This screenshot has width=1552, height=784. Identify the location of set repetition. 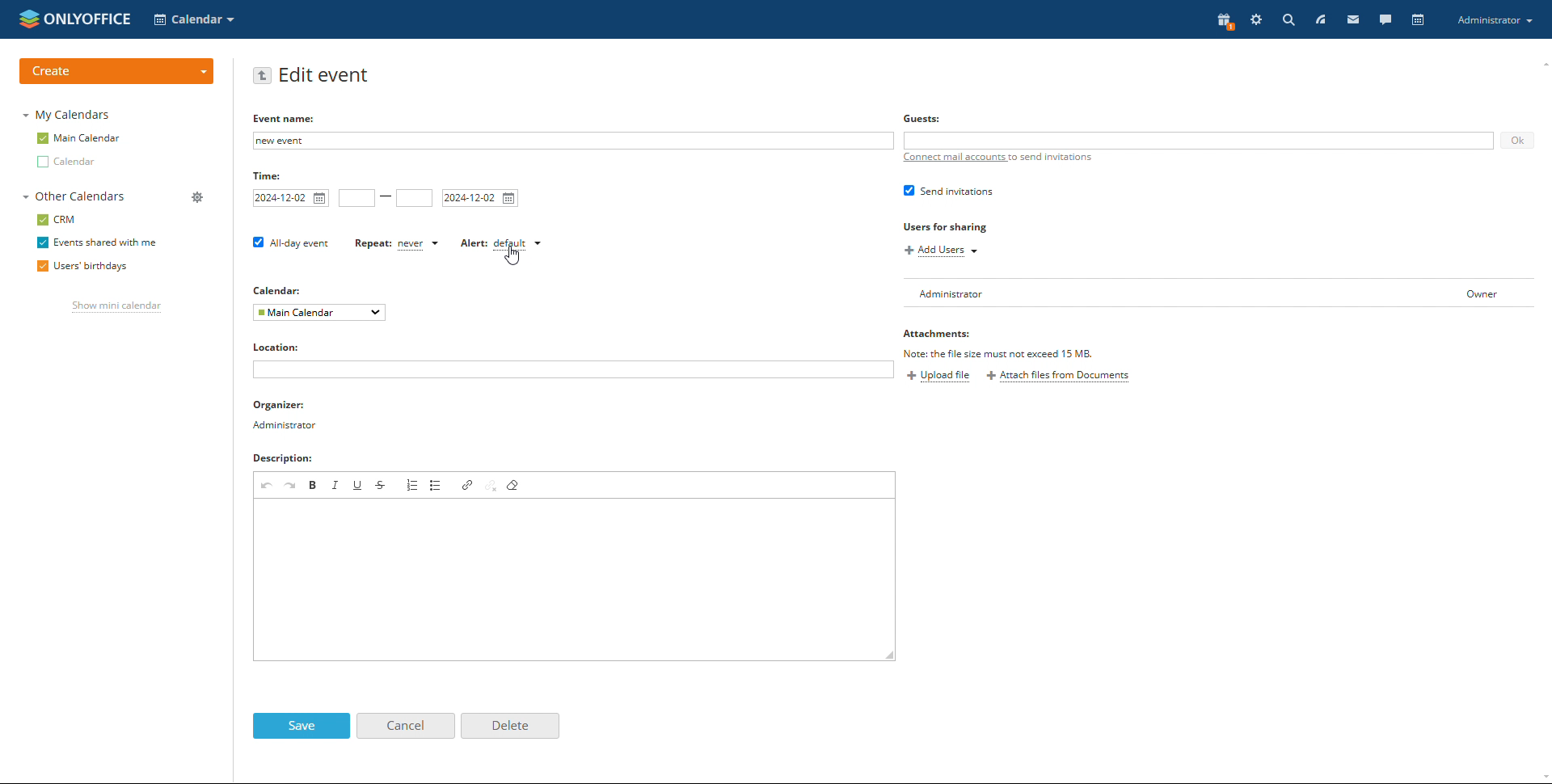
(396, 244).